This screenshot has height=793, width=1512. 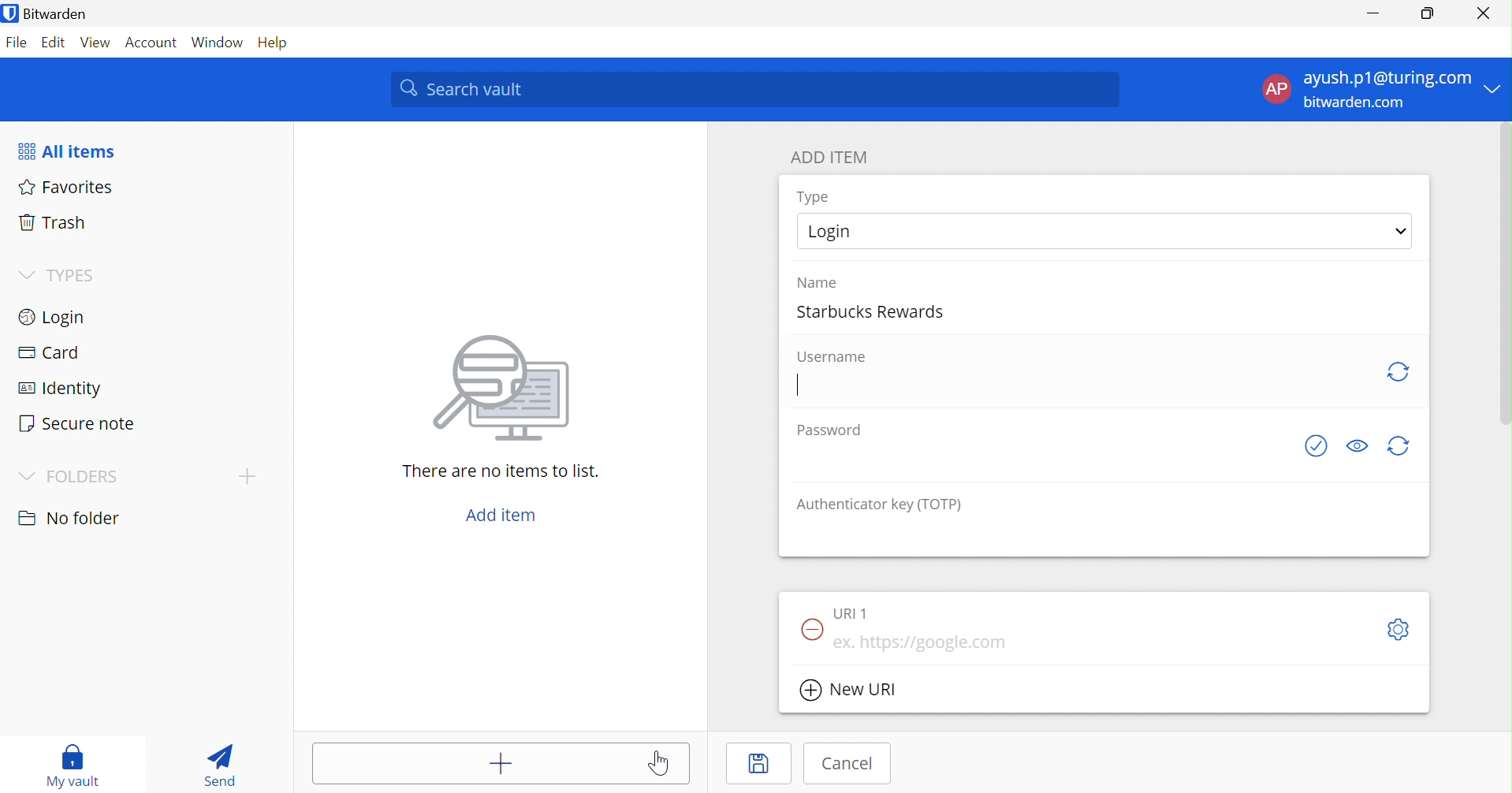 I want to click on Save, so click(x=763, y=765).